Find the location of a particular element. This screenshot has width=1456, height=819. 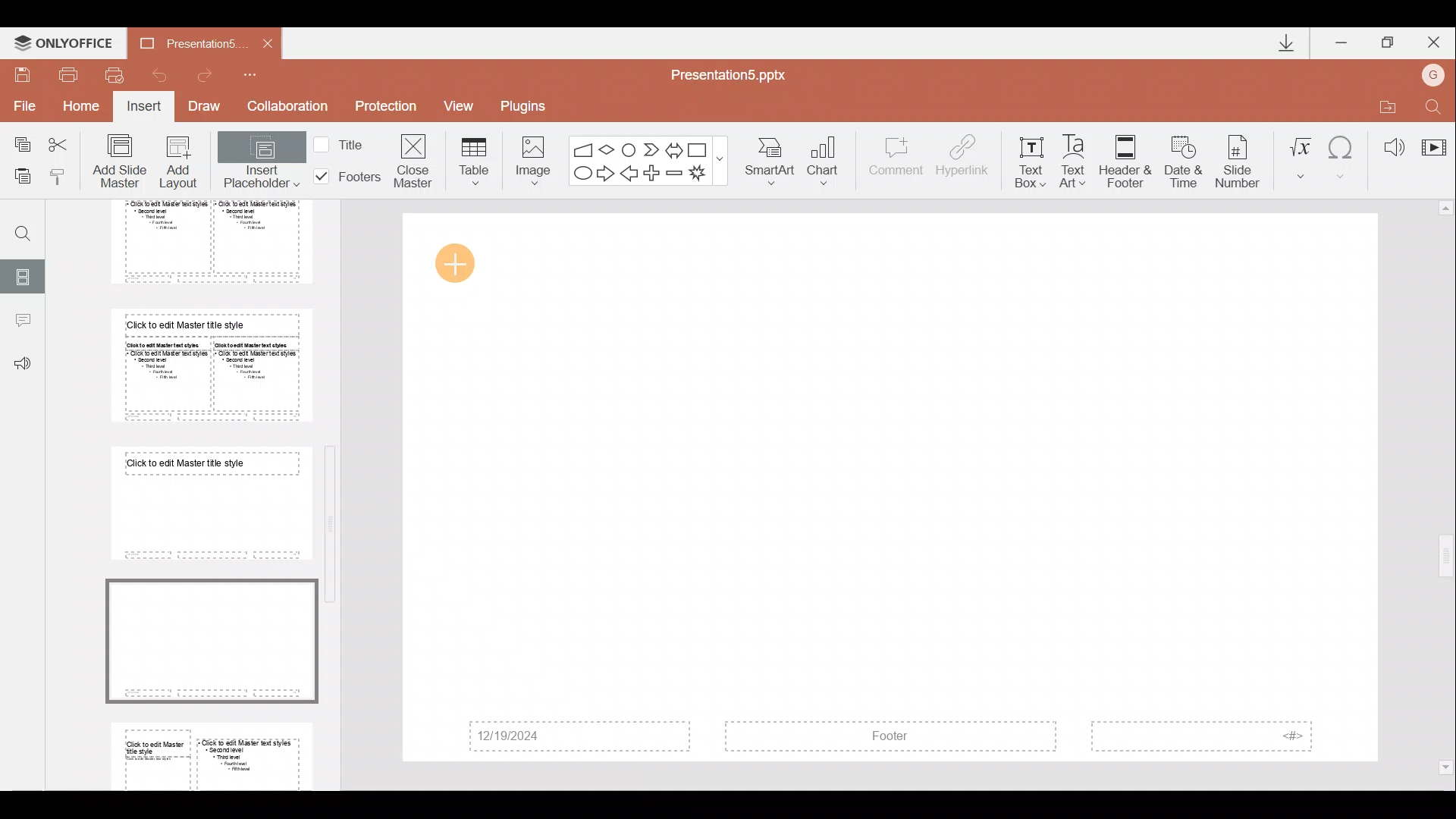

Flowchart-connector is located at coordinates (629, 146).